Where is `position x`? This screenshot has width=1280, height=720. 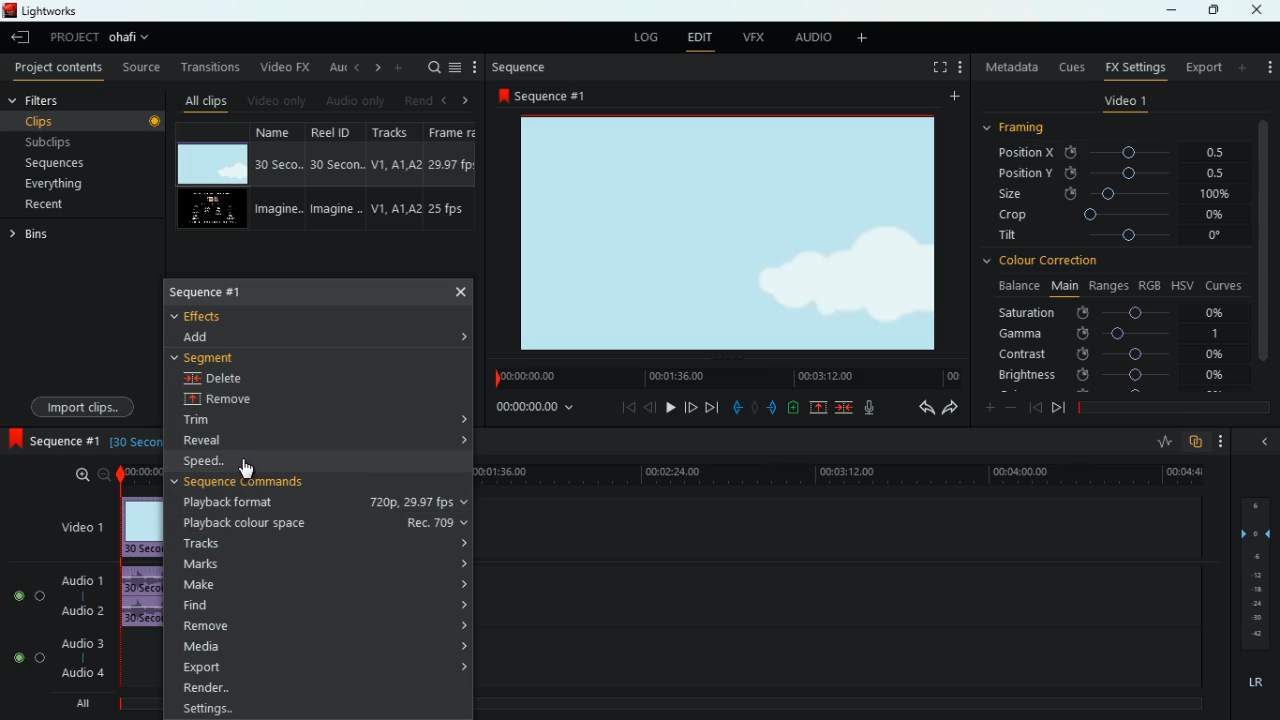
position x is located at coordinates (1116, 152).